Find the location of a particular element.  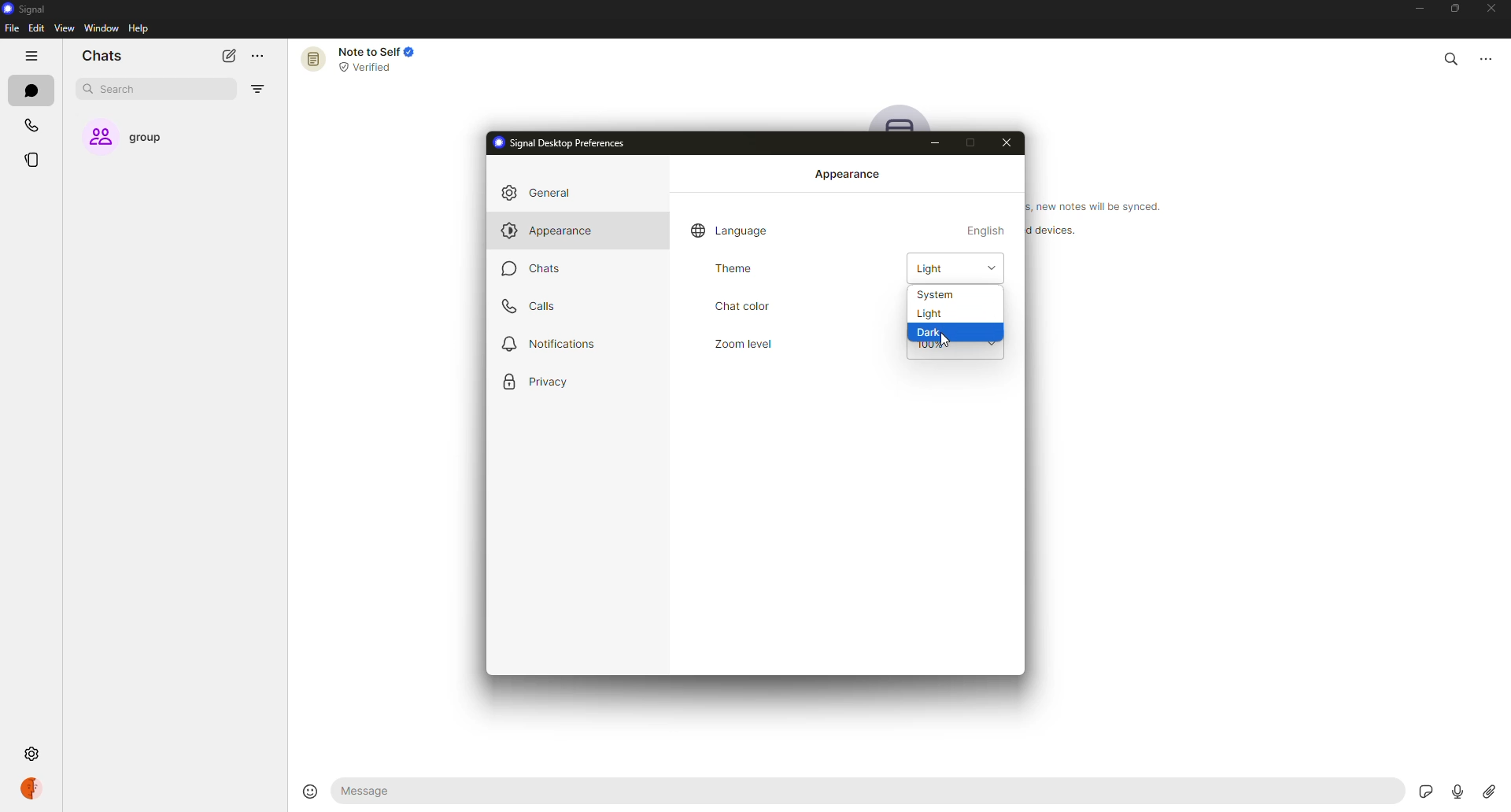

calls is located at coordinates (531, 305).